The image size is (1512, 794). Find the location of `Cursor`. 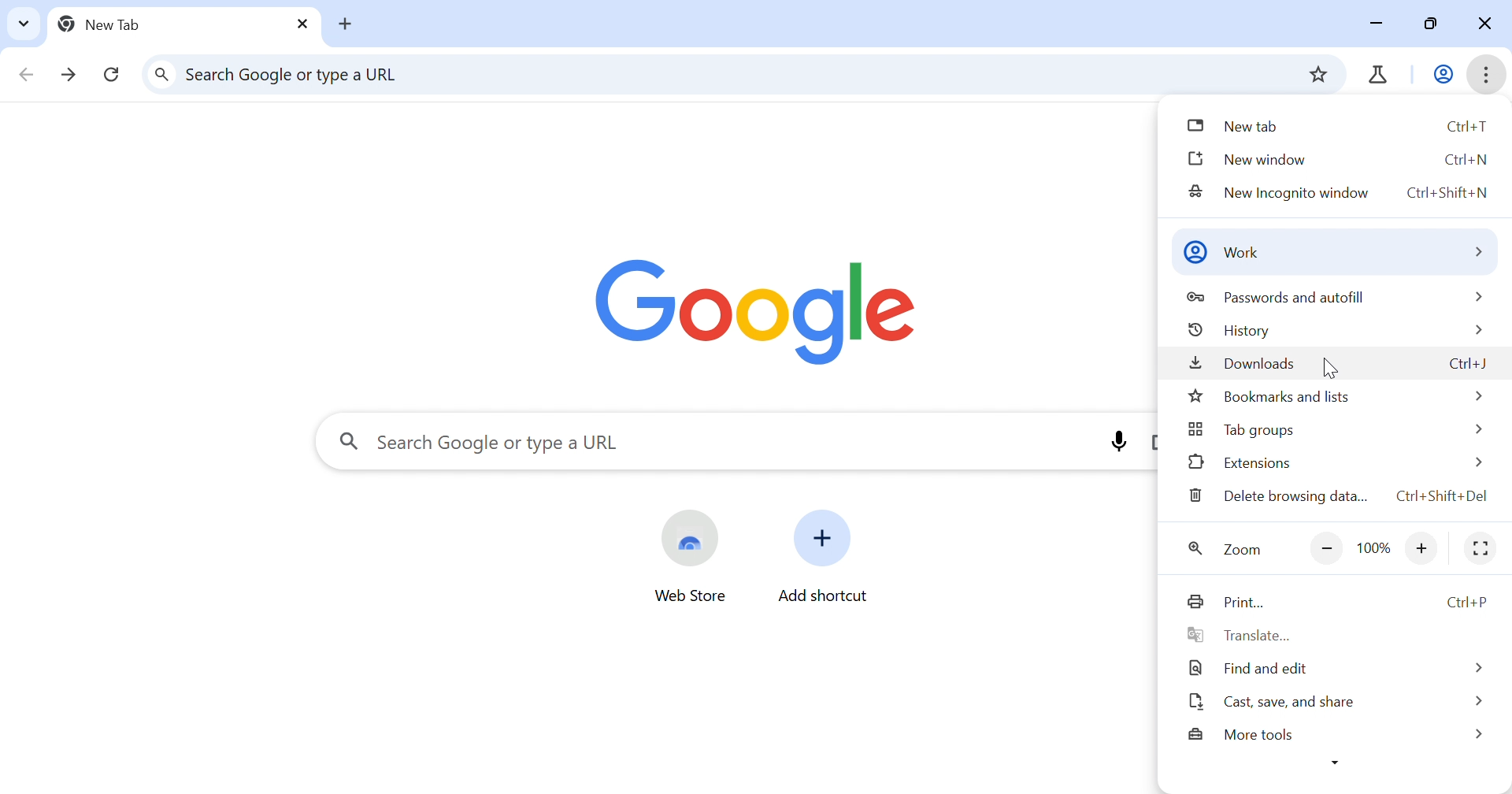

Cursor is located at coordinates (1335, 368).